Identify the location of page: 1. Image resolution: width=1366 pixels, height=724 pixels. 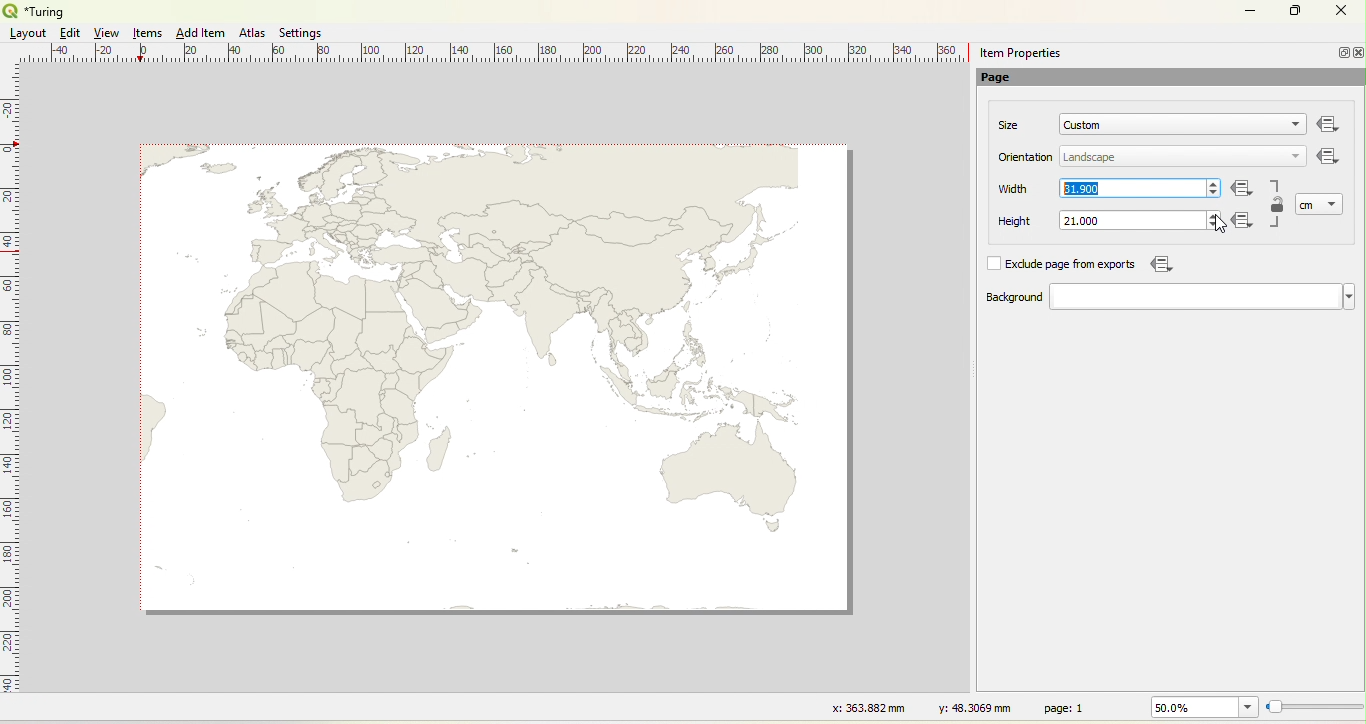
(1067, 707).